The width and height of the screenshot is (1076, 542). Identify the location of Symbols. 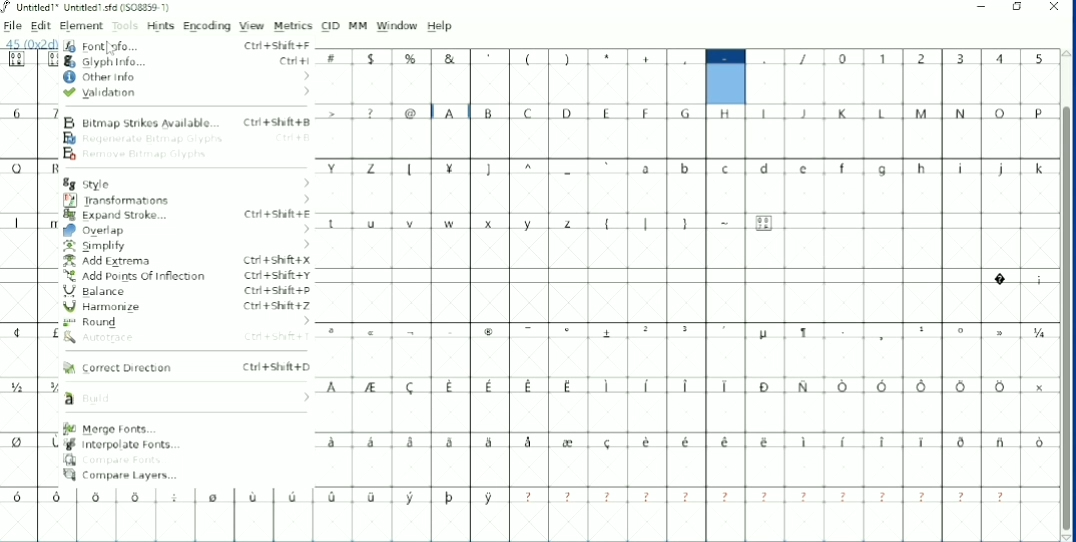
(1017, 280).